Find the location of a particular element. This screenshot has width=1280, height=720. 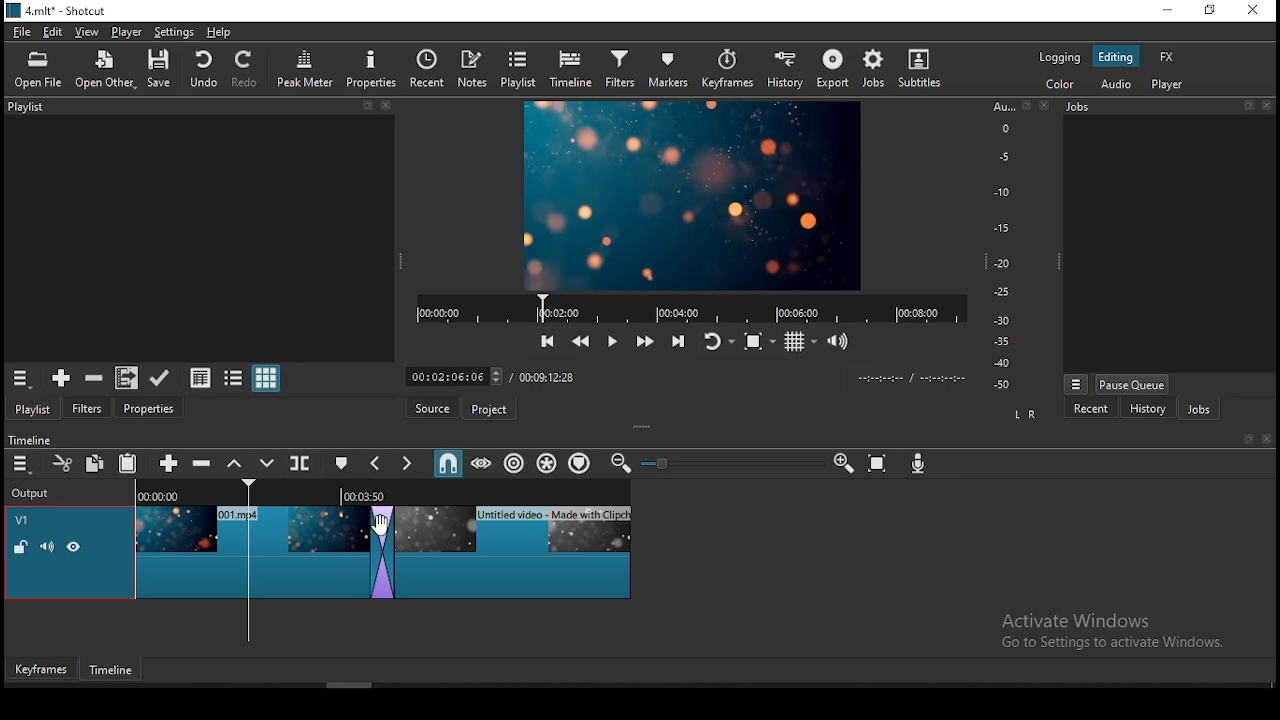

recent is located at coordinates (425, 70).